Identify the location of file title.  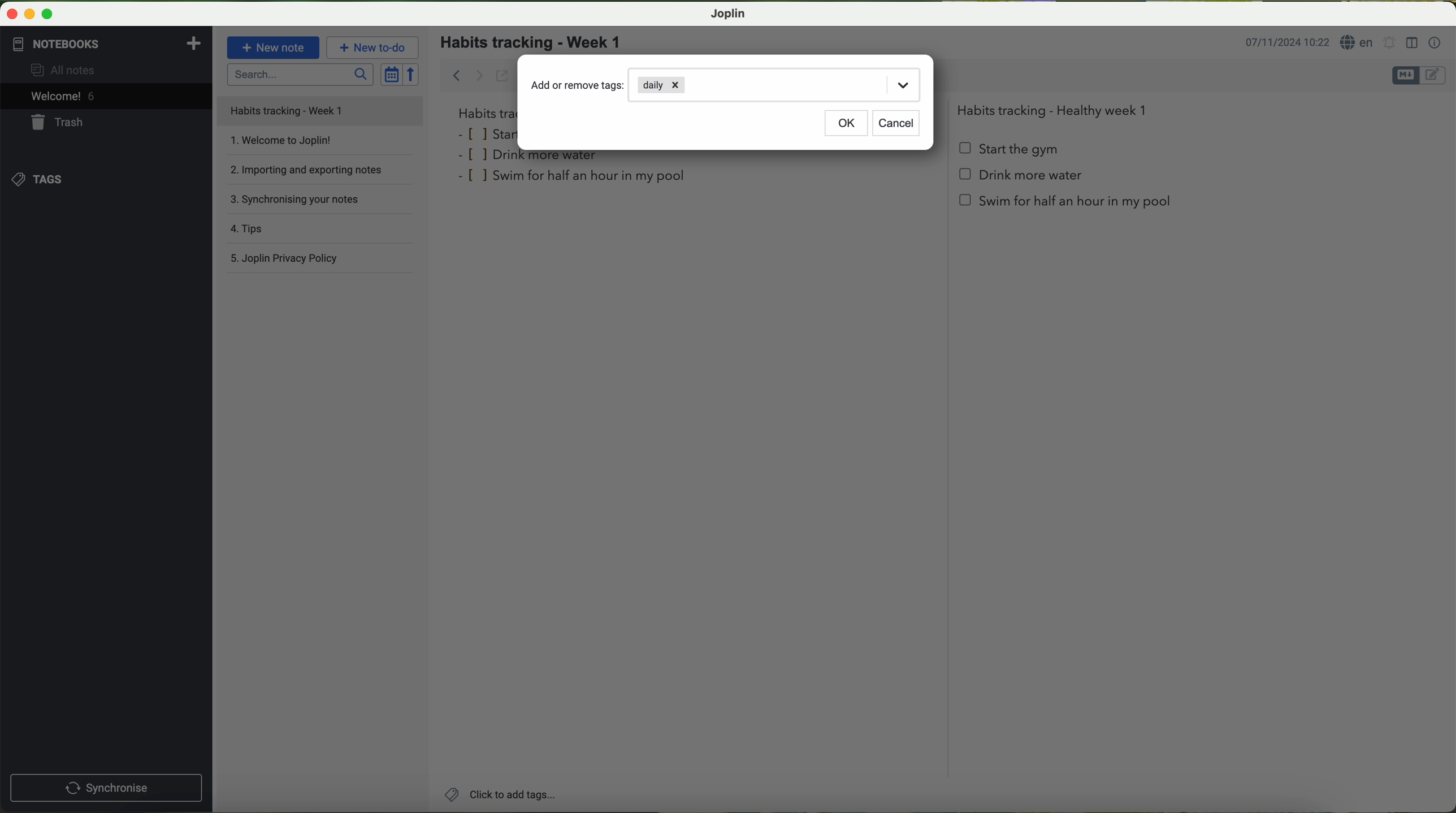
(320, 111).